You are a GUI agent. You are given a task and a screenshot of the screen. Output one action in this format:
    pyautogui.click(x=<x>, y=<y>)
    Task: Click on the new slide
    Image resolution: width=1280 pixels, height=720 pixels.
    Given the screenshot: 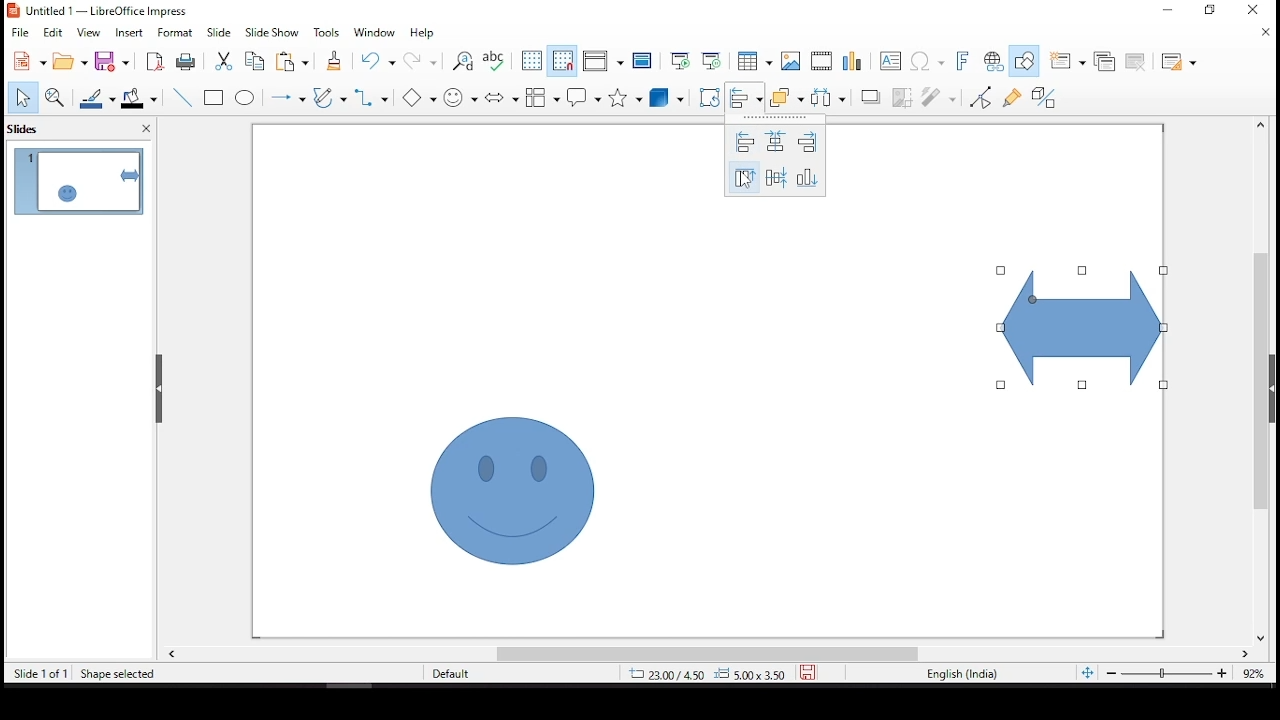 What is the action you would take?
    pyautogui.click(x=1065, y=61)
    